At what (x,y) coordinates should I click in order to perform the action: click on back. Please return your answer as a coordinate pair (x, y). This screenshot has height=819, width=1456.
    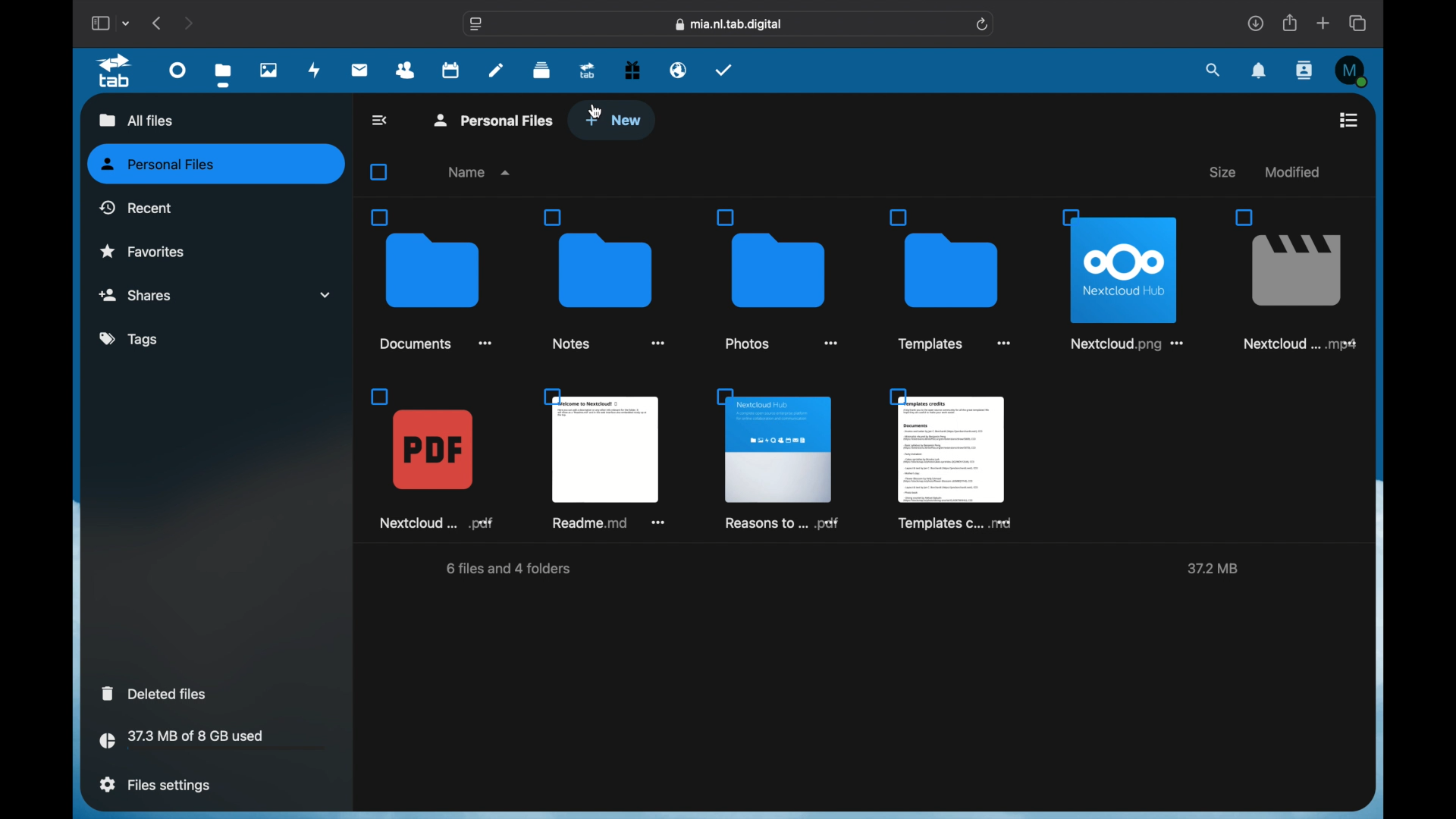
    Looking at the image, I should click on (381, 120).